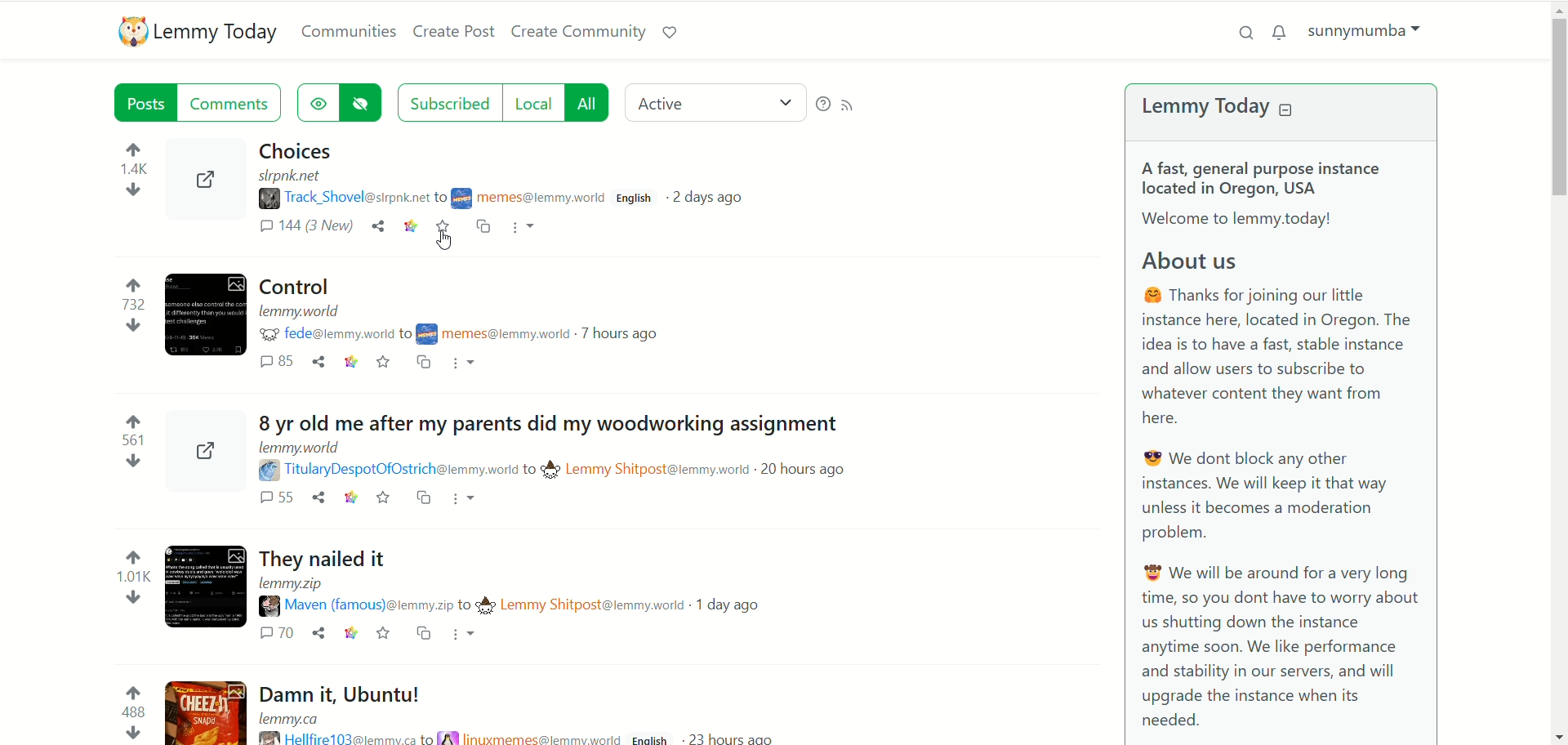 The image size is (1568, 745). I want to click on create post, so click(455, 33).